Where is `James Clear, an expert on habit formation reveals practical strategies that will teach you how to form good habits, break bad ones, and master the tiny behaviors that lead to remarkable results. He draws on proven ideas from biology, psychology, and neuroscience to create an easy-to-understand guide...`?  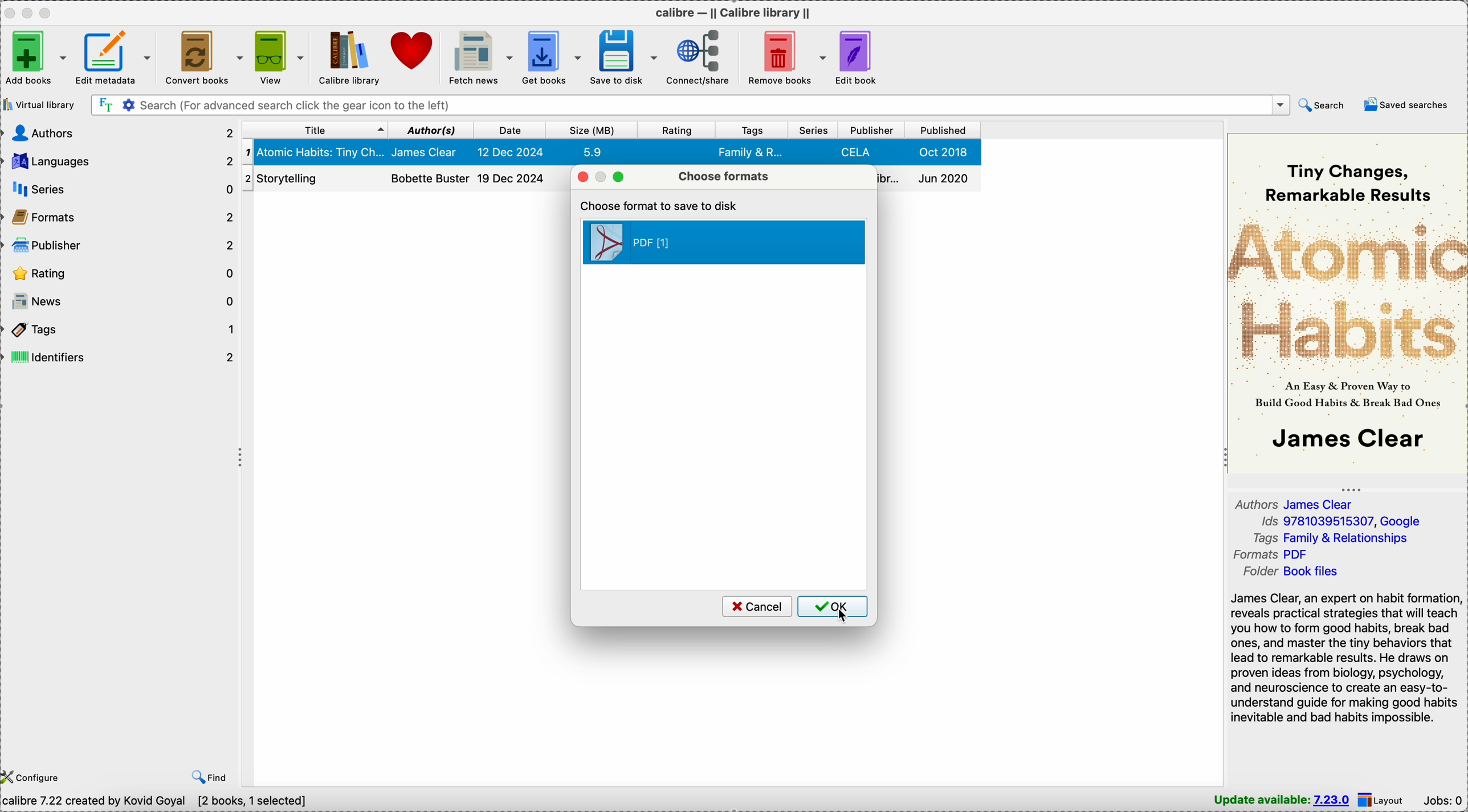 James Clear, an expert on habit formation reveals practical strategies that will teach you how to form good habits, break bad ones, and master the tiny behaviors that lead to remarkable results. He draws on proven ideas from biology, psychology, and neuroscience to create an easy-to-understand guide... is located at coordinates (1346, 659).